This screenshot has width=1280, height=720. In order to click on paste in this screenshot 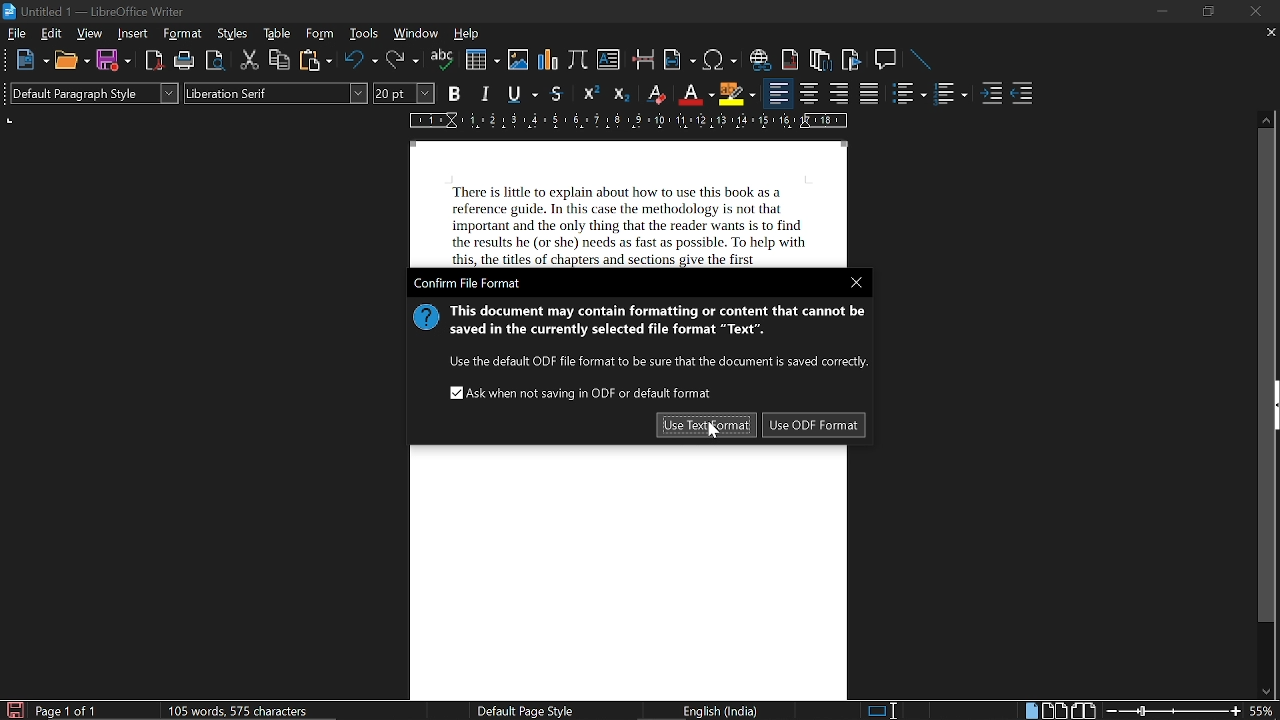, I will do `click(314, 60)`.